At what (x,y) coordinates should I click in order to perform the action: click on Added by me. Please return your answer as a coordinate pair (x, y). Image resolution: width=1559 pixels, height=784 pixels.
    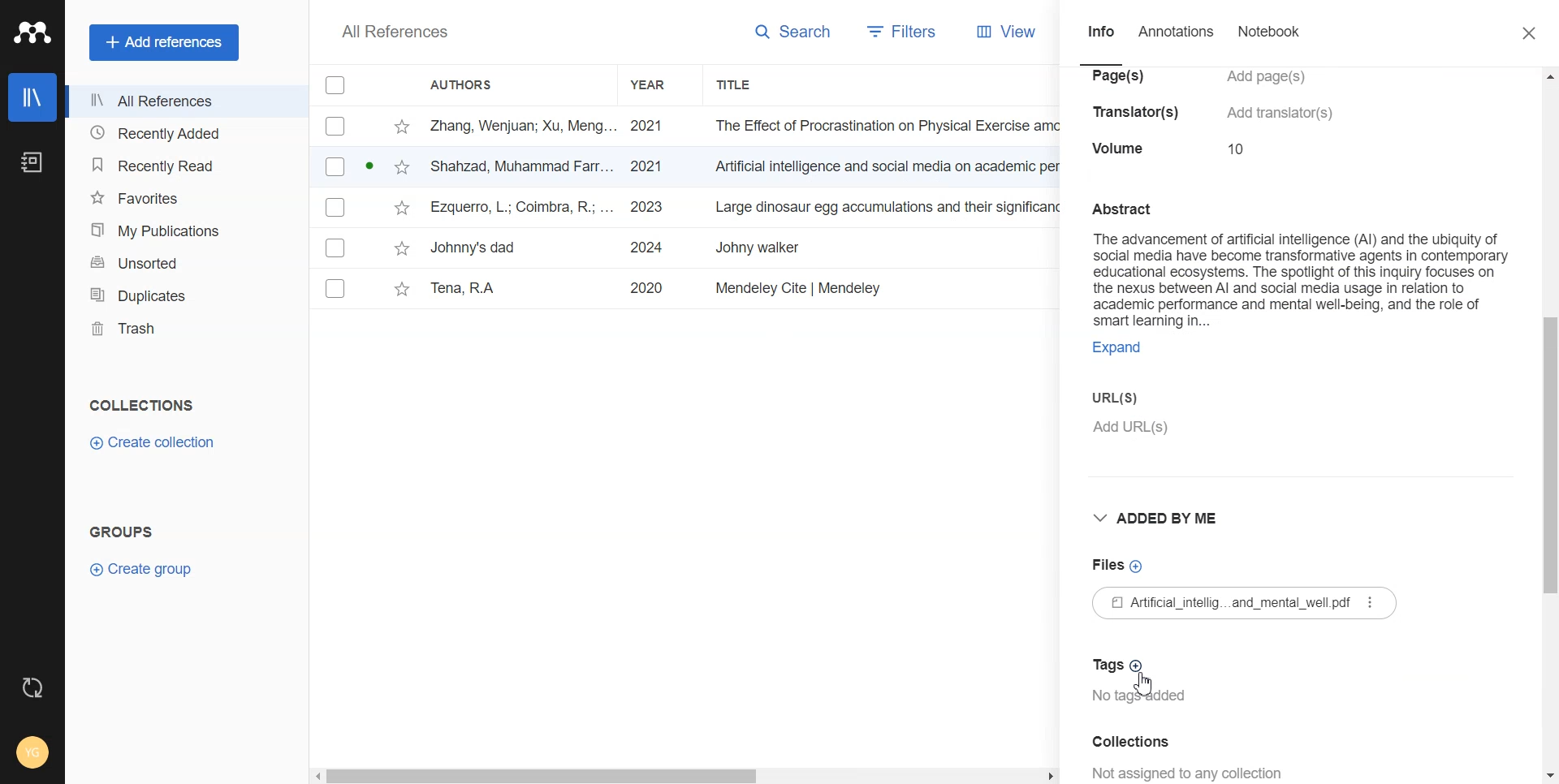
    Looking at the image, I should click on (1165, 518).